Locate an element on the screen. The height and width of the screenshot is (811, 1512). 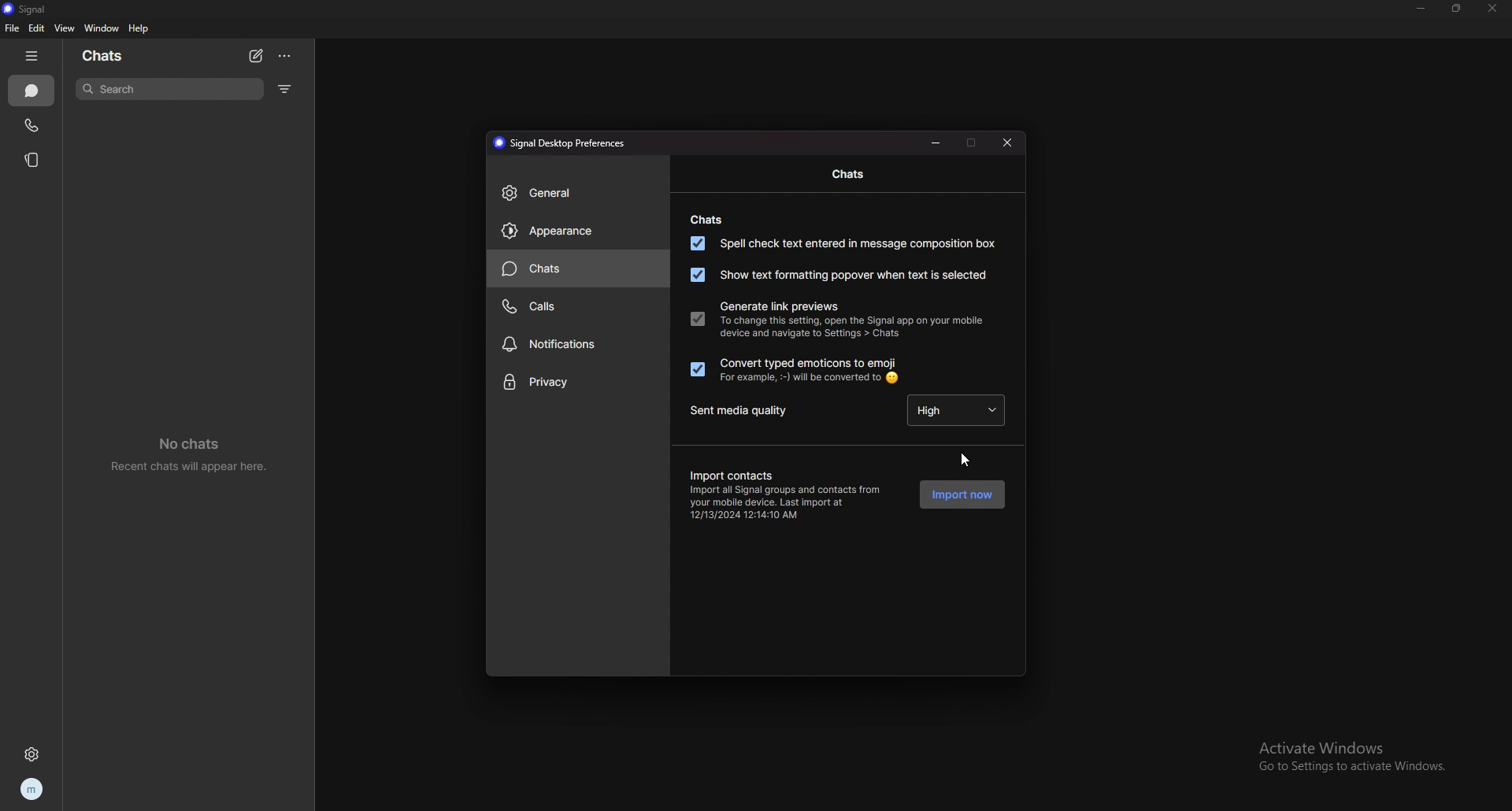
file is located at coordinates (12, 28).